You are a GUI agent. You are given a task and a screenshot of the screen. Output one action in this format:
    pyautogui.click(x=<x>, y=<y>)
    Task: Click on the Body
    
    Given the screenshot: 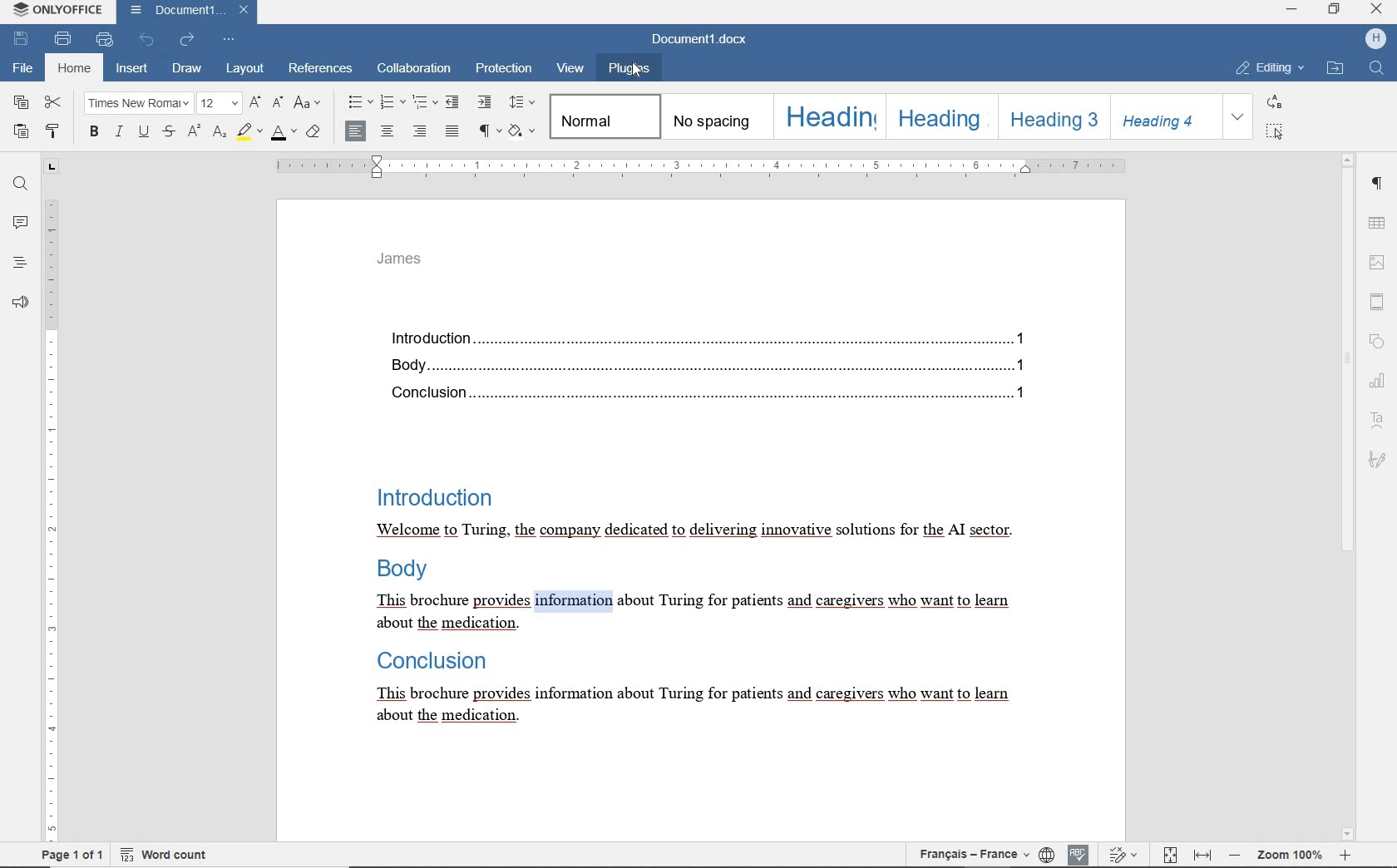 What is the action you would take?
    pyautogui.click(x=405, y=572)
    